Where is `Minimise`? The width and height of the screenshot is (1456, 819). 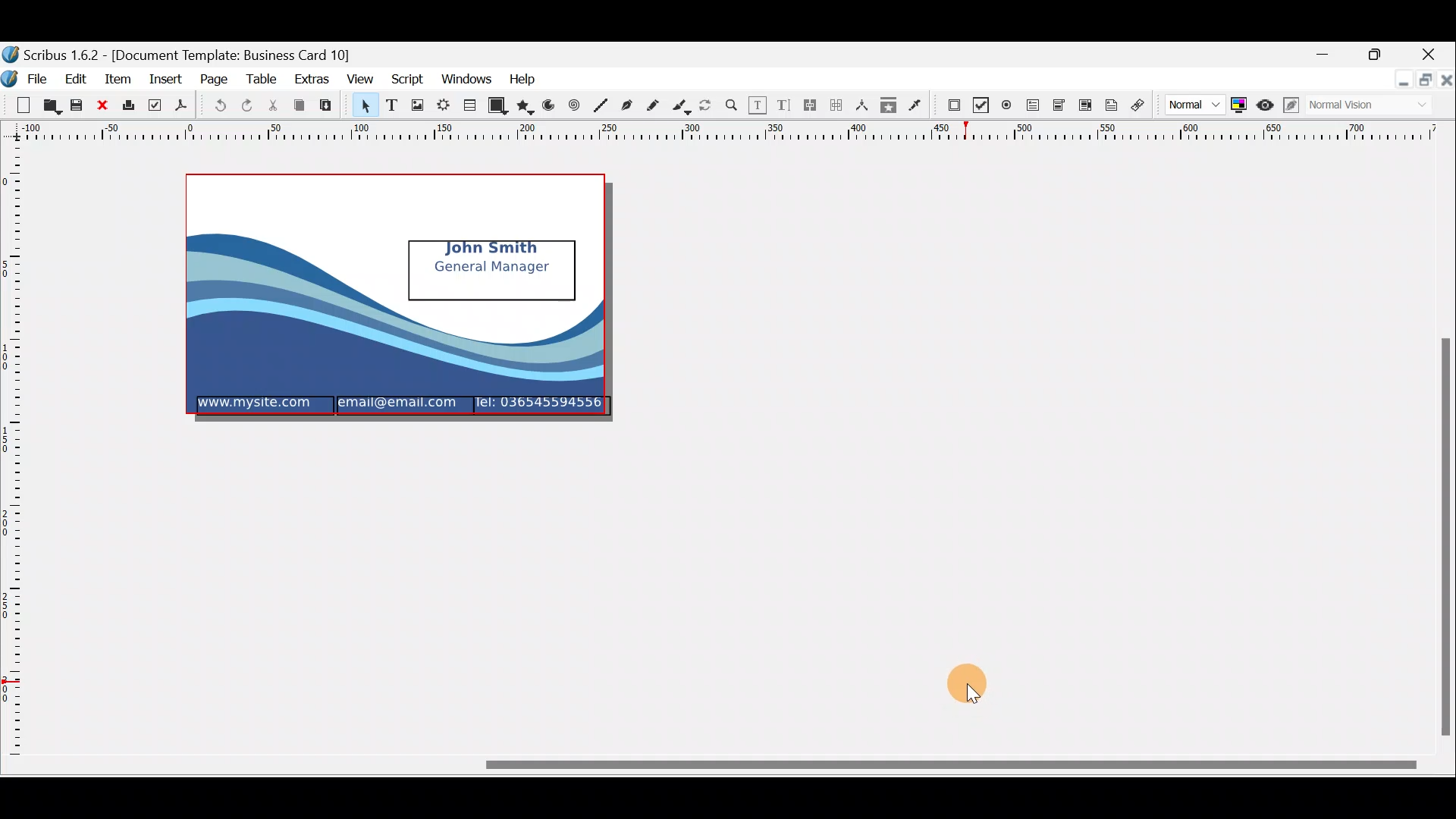 Minimise is located at coordinates (1328, 58).